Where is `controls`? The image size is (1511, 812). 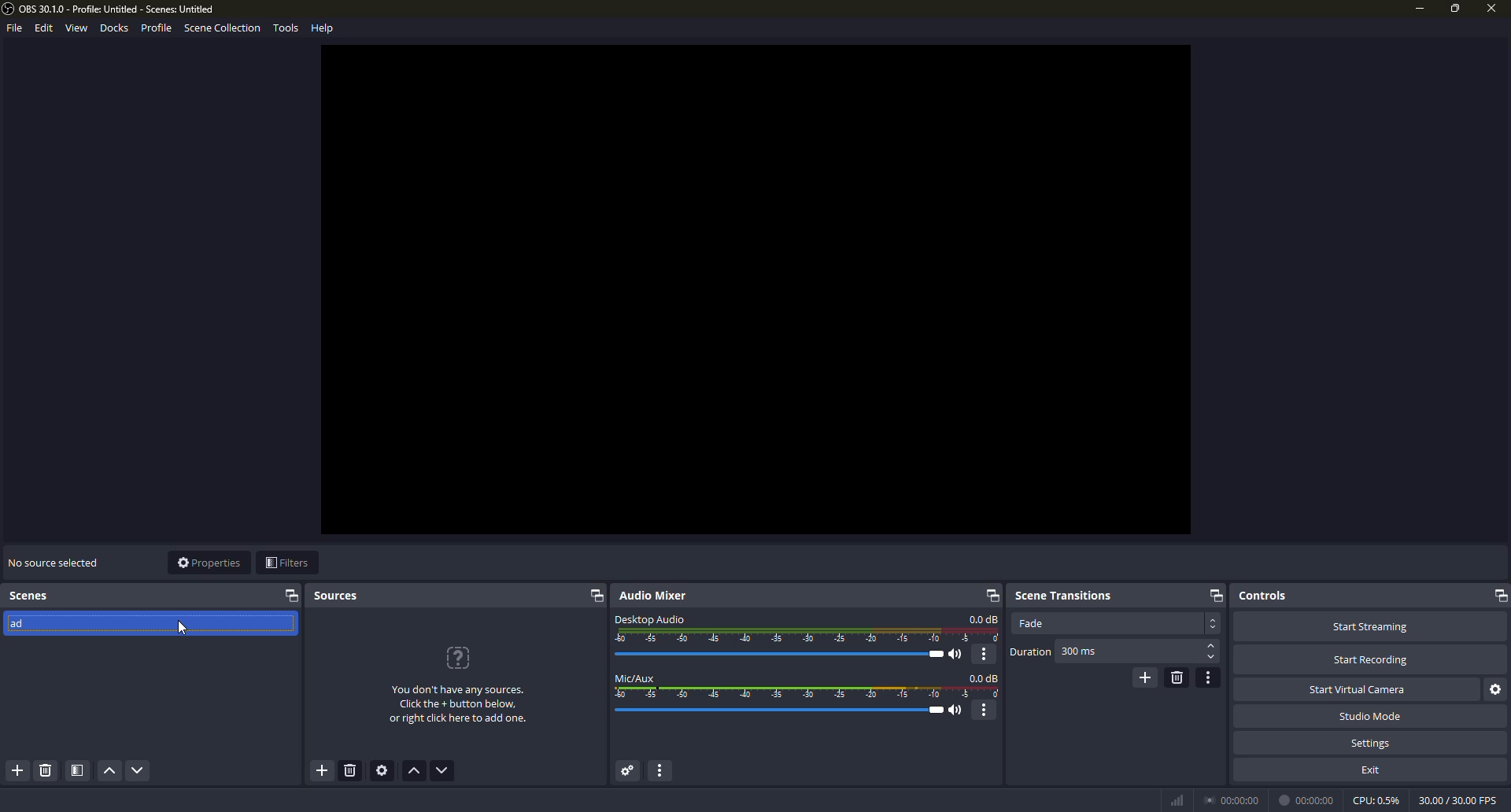
controls is located at coordinates (1263, 595).